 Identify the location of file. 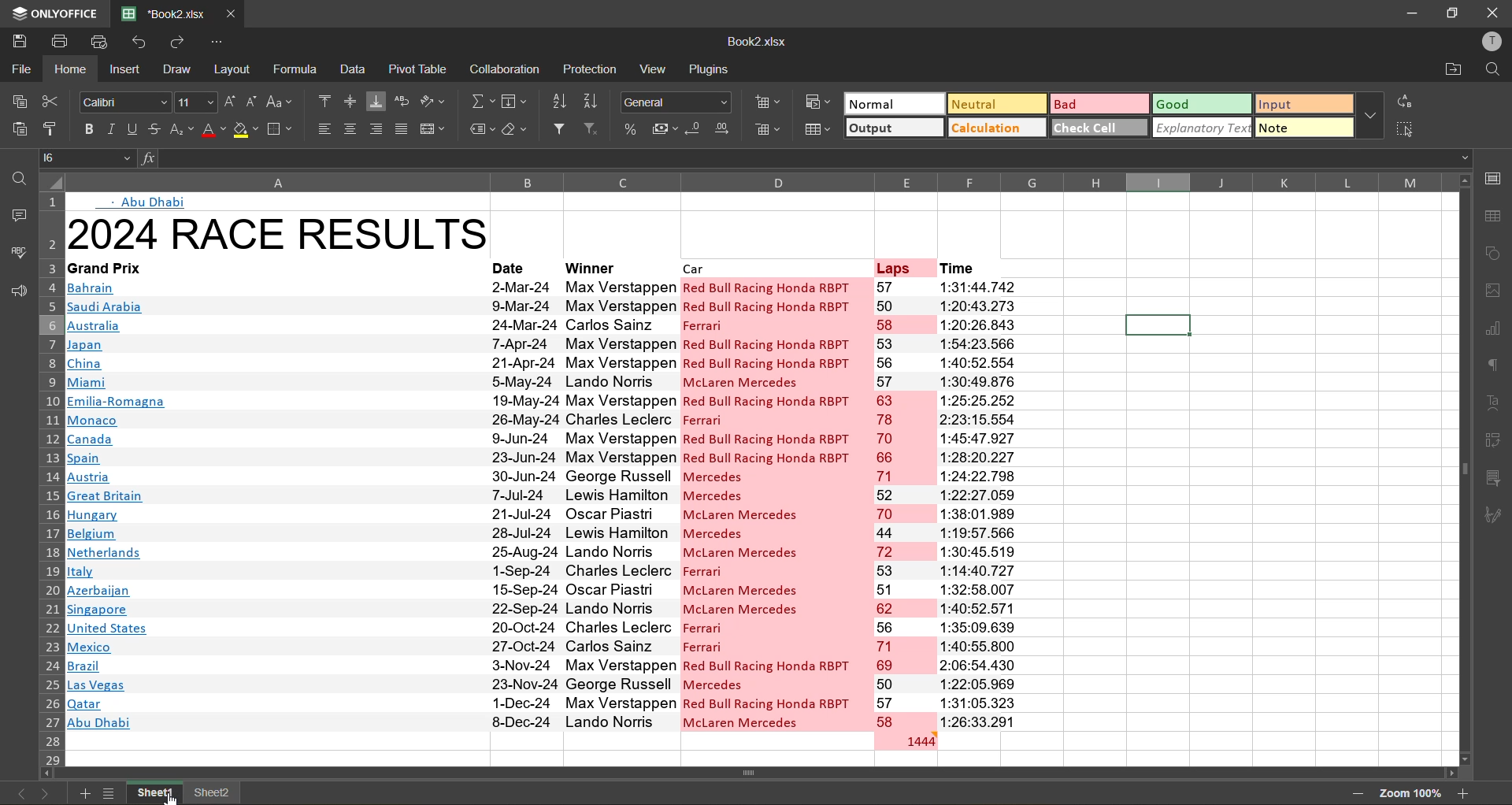
(20, 68).